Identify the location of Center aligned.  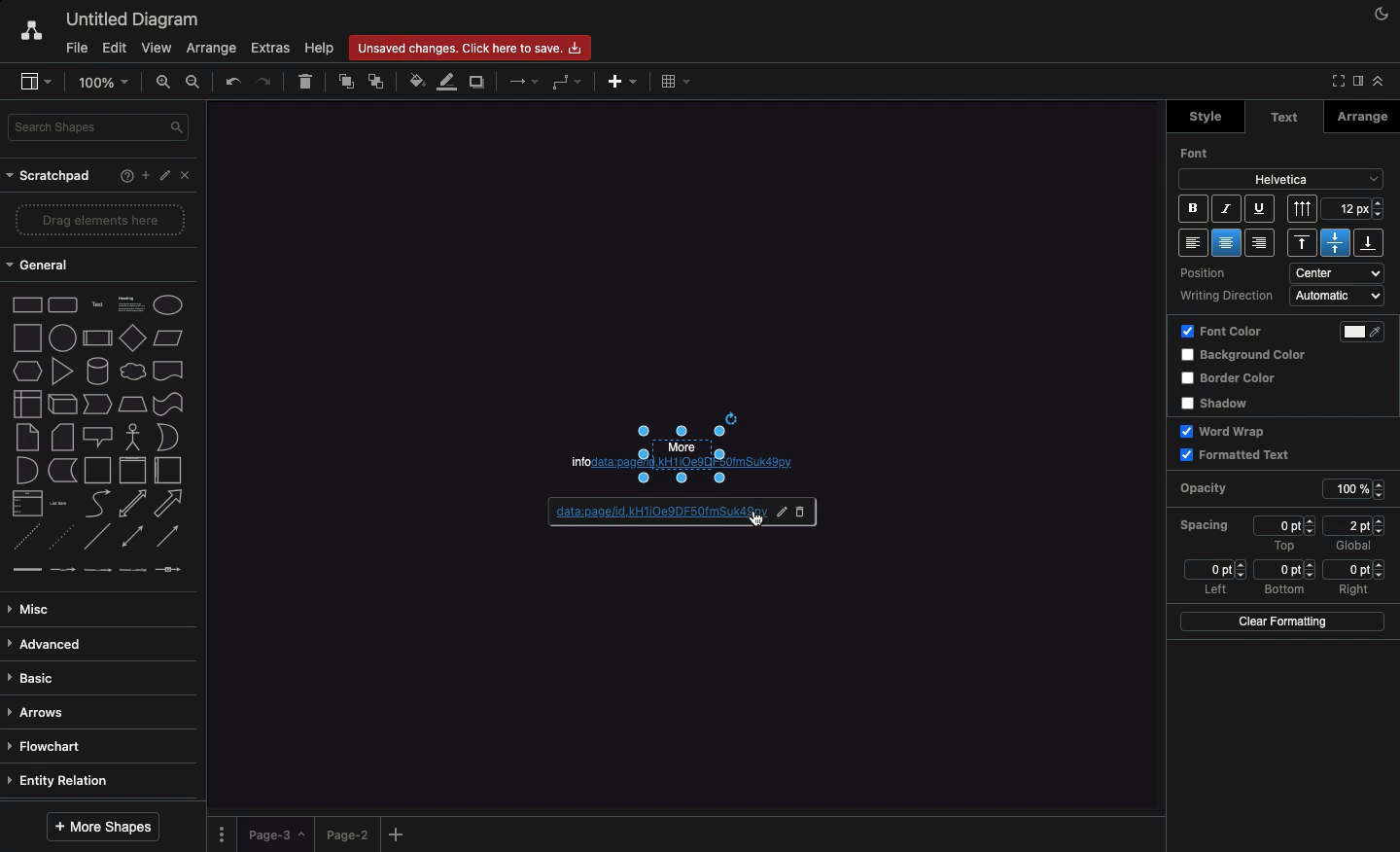
(1229, 242).